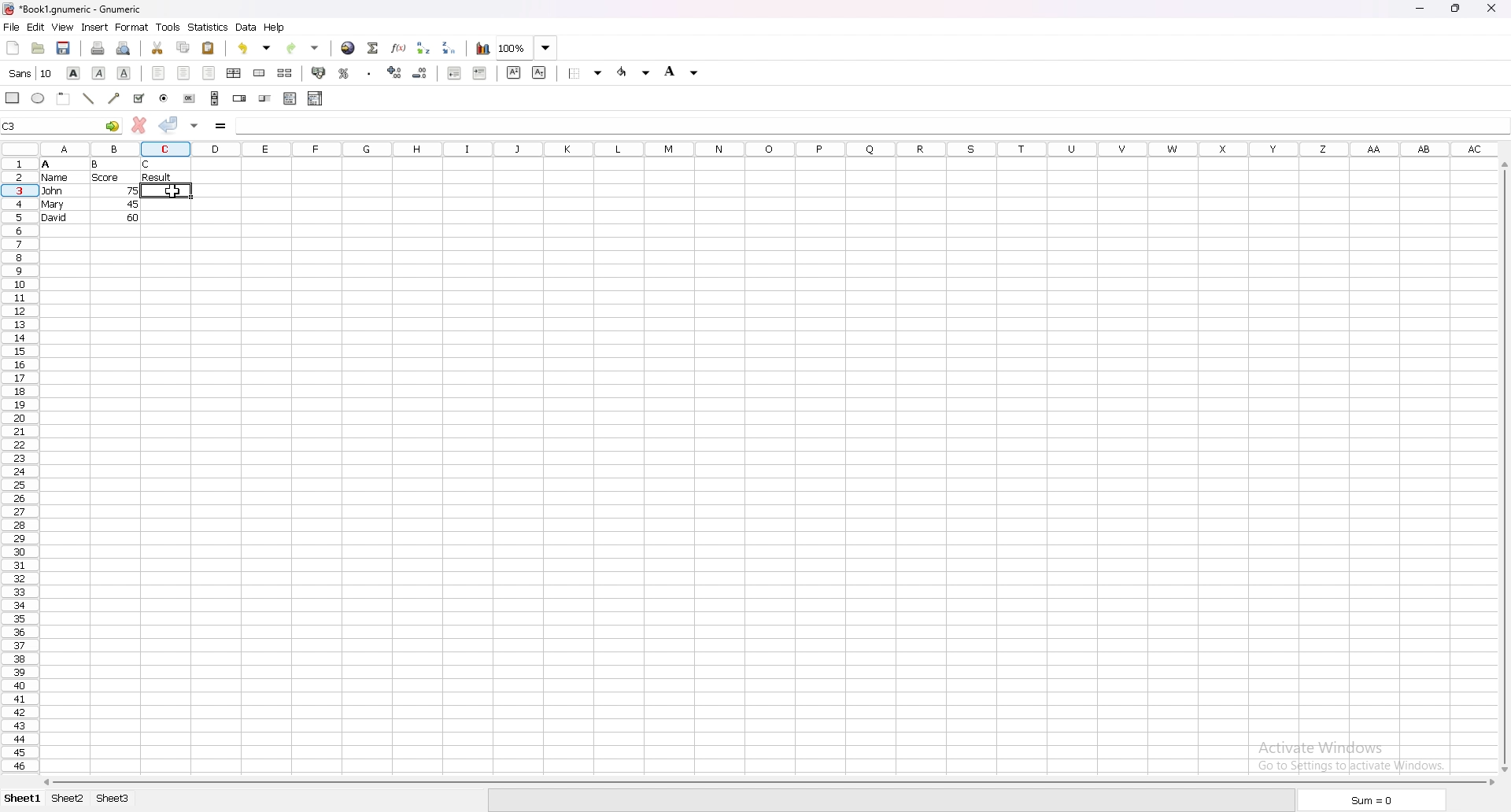 The width and height of the screenshot is (1511, 812). Describe the element at coordinates (13, 98) in the screenshot. I see `rectangle` at that location.